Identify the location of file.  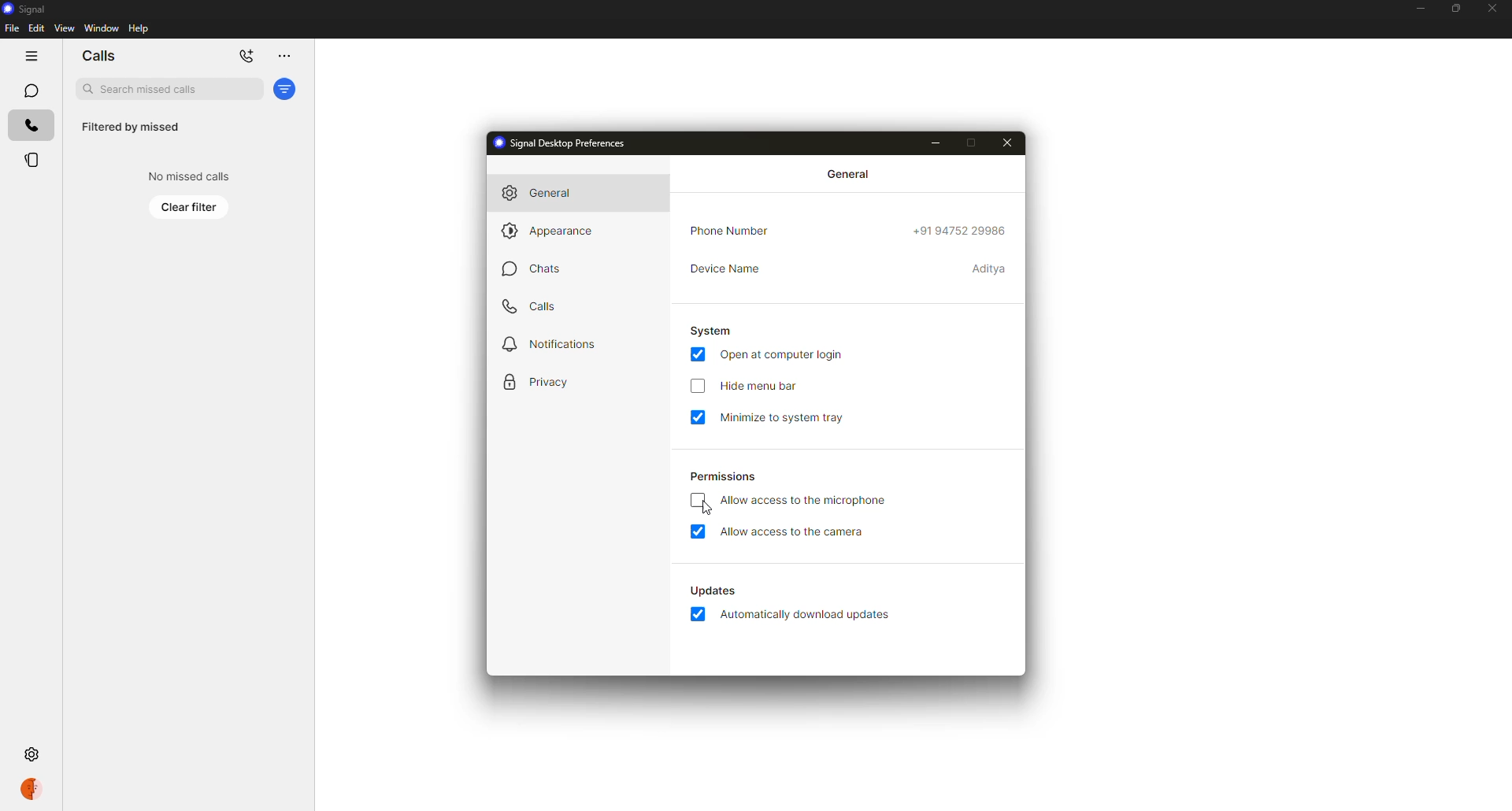
(12, 29).